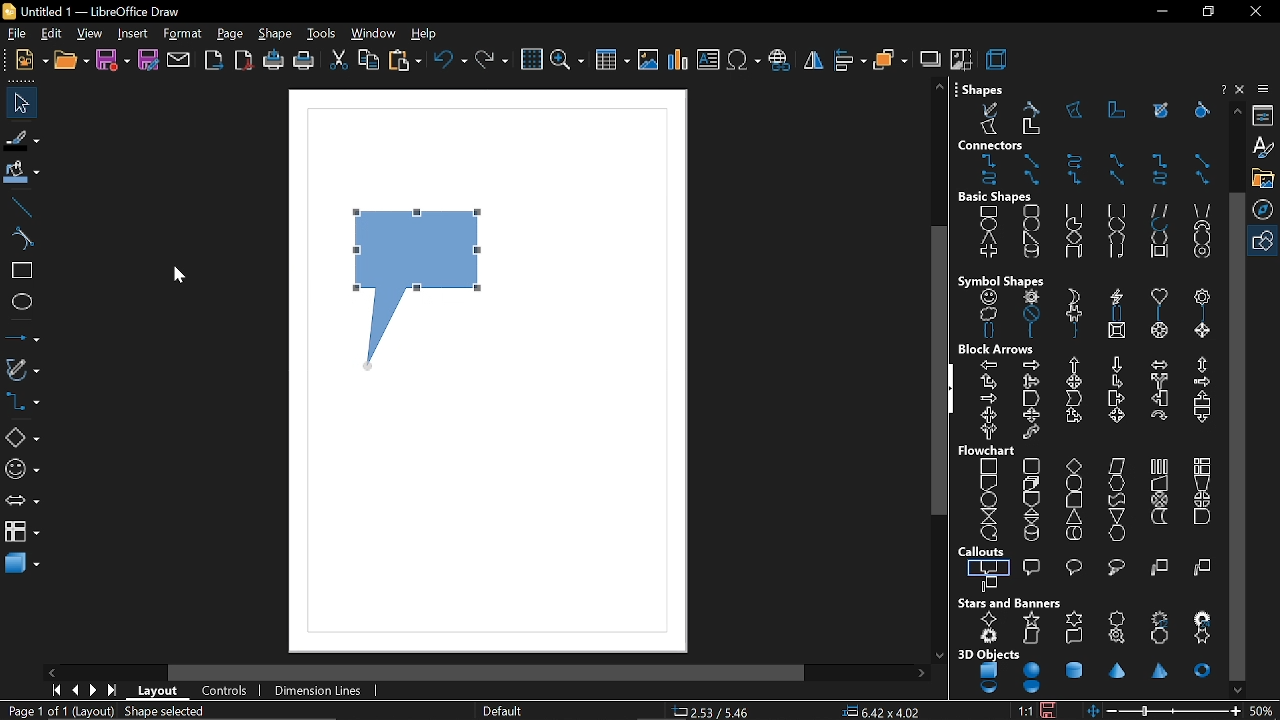  Describe the element at coordinates (1203, 617) in the screenshot. I see `24 point star` at that location.